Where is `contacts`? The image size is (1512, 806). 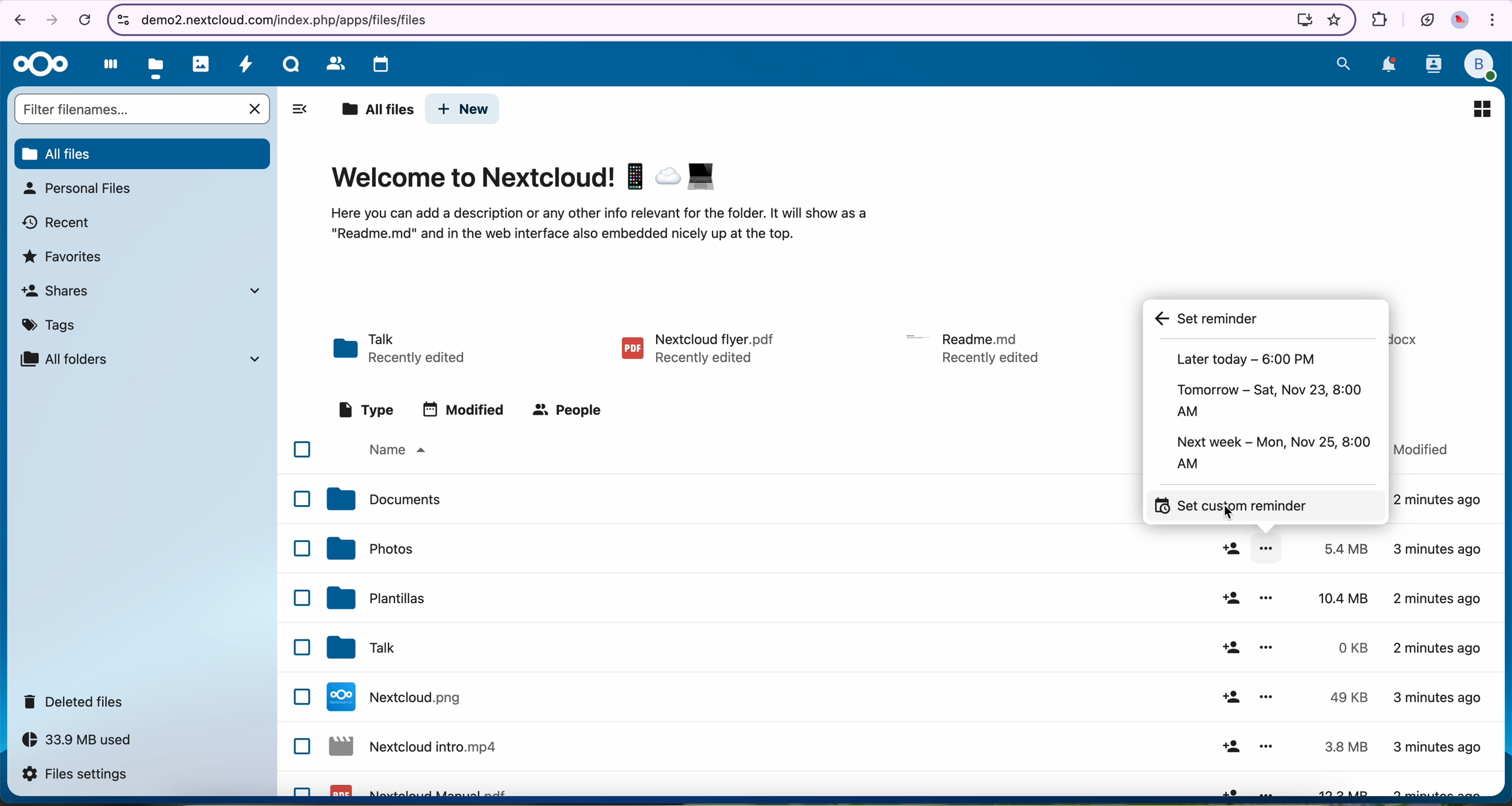 contacts is located at coordinates (332, 63).